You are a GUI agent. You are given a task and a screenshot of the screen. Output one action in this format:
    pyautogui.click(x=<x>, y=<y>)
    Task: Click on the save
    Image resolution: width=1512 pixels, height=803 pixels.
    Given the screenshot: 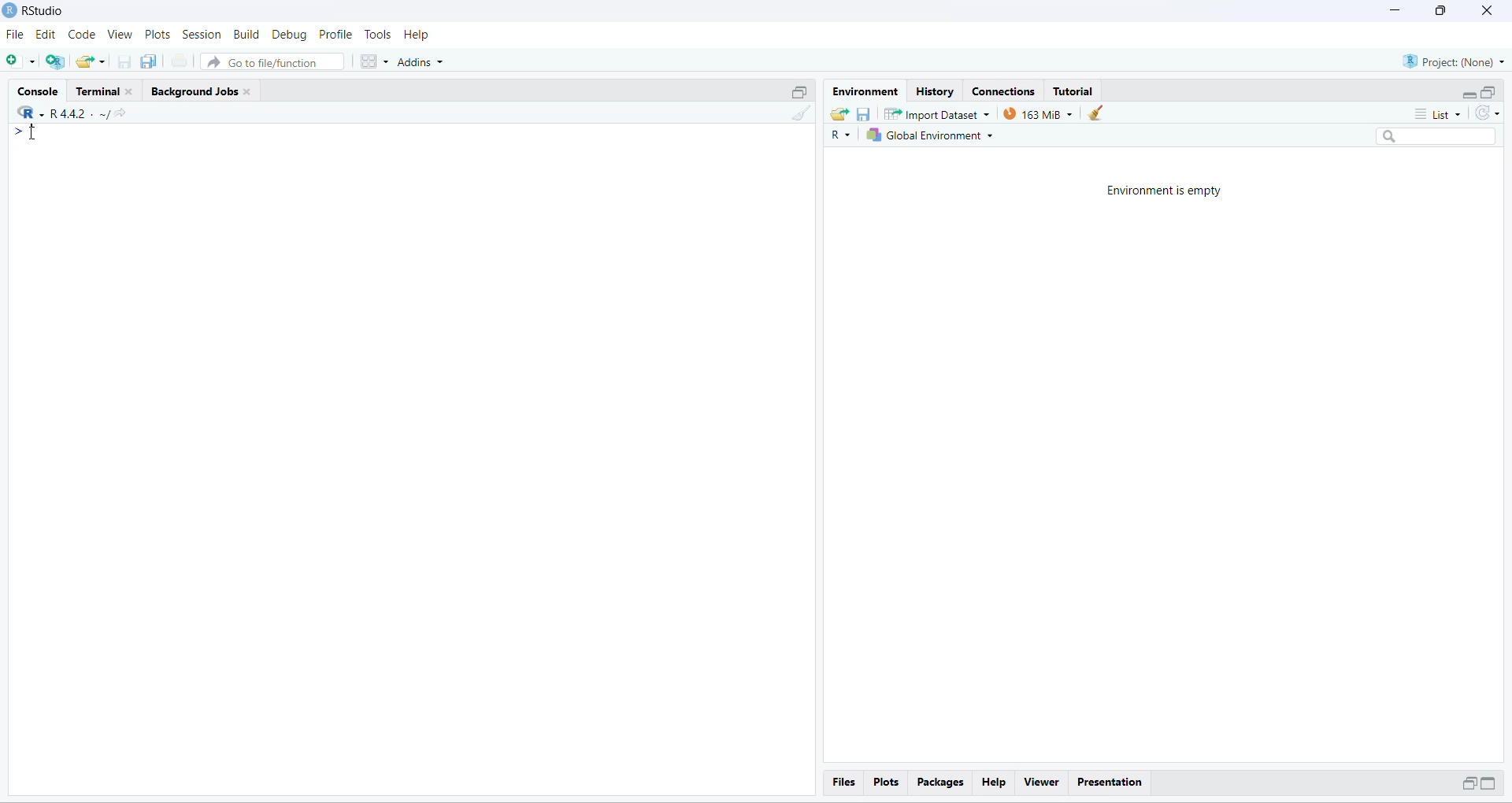 What is the action you would take?
    pyautogui.click(x=862, y=114)
    